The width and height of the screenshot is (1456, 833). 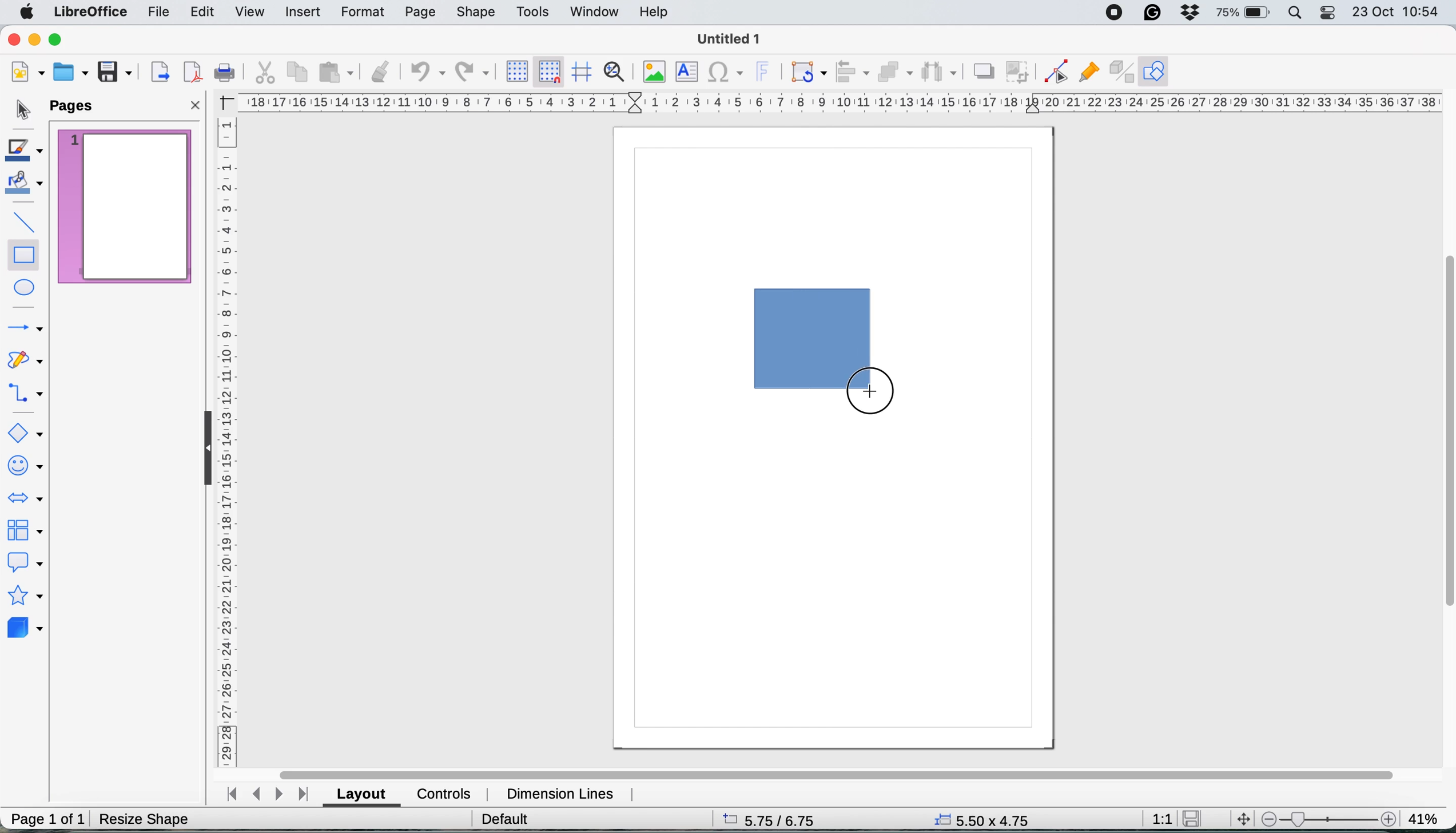 I want to click on close, so click(x=196, y=104).